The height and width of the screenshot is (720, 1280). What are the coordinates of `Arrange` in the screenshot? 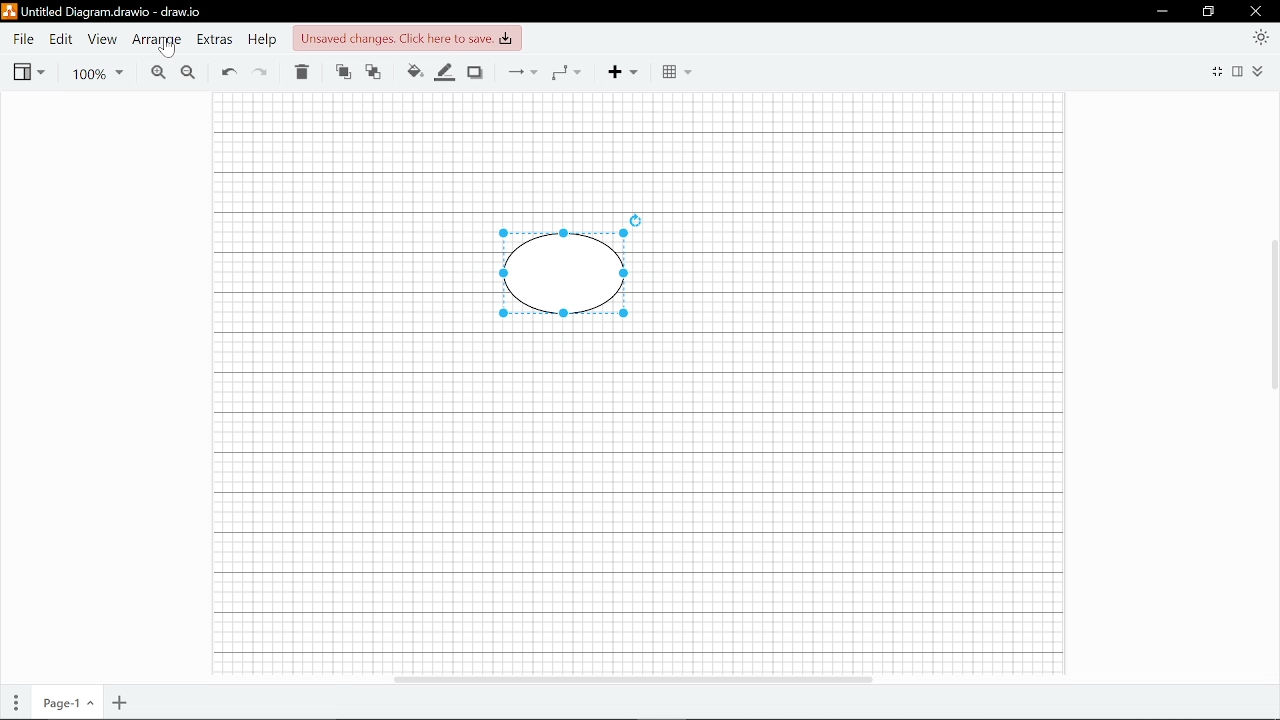 It's located at (159, 40).